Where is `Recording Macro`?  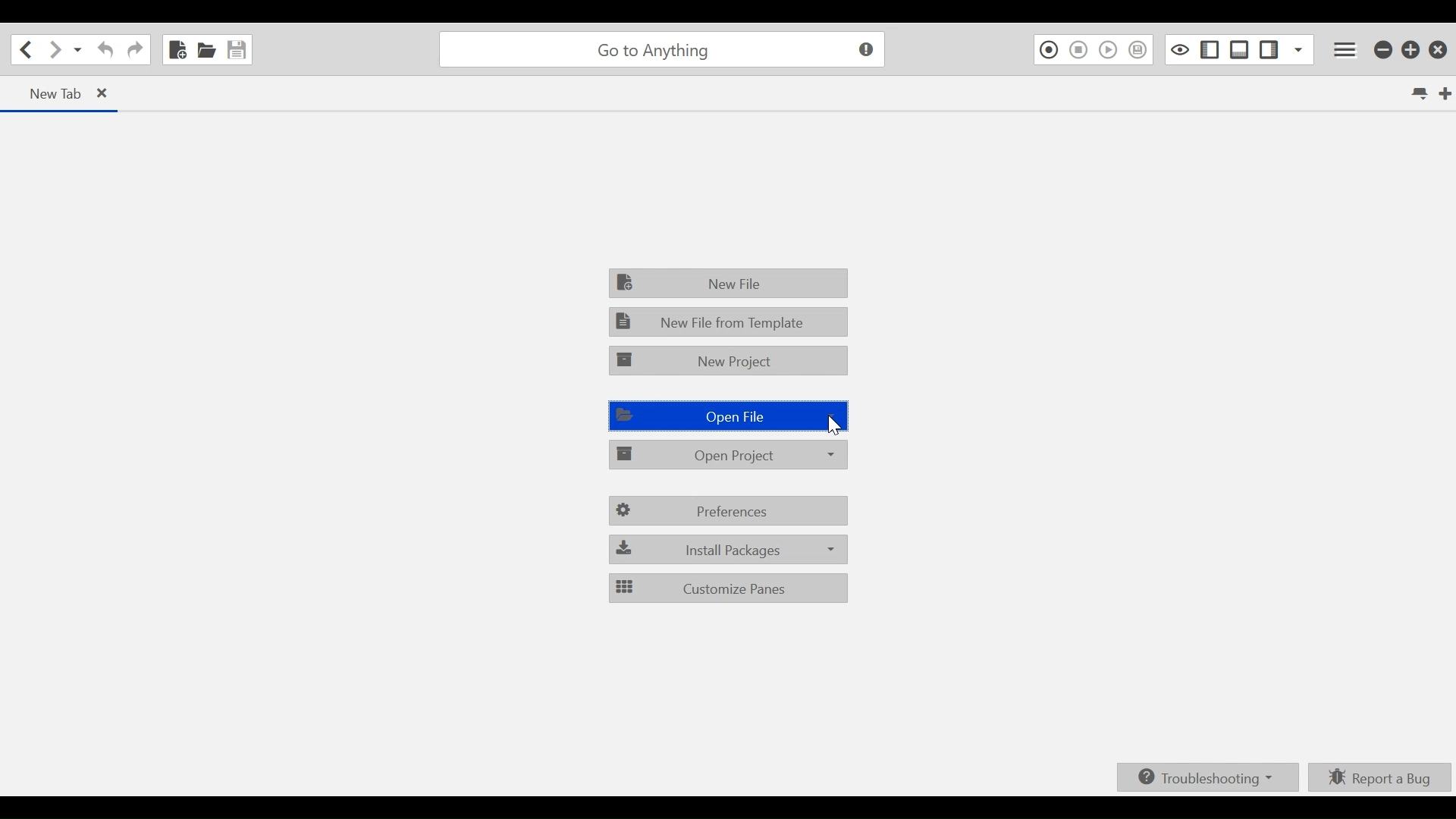
Recording Macro is located at coordinates (1047, 50).